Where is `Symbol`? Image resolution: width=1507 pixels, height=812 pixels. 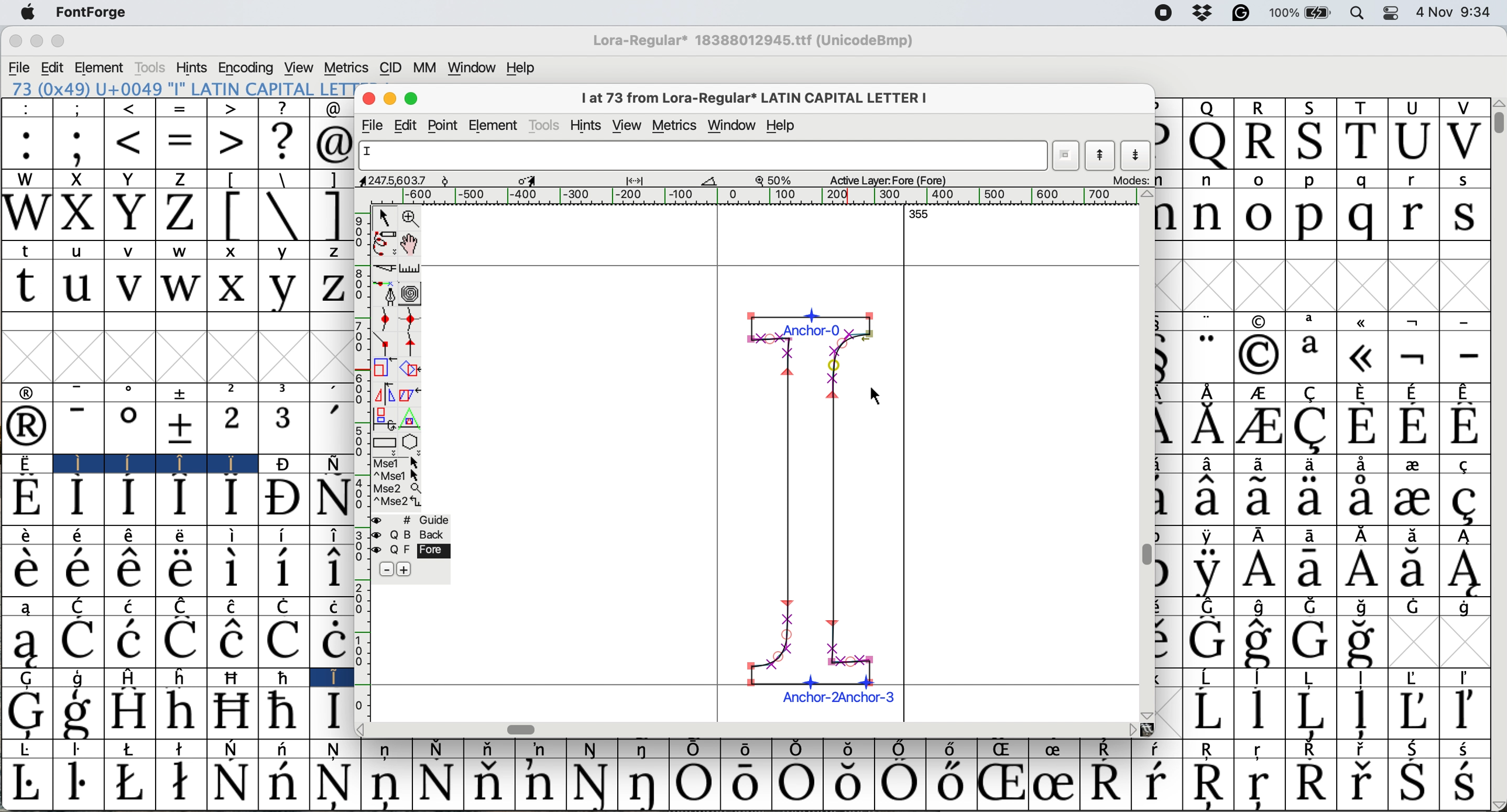
Symbol is located at coordinates (1205, 426).